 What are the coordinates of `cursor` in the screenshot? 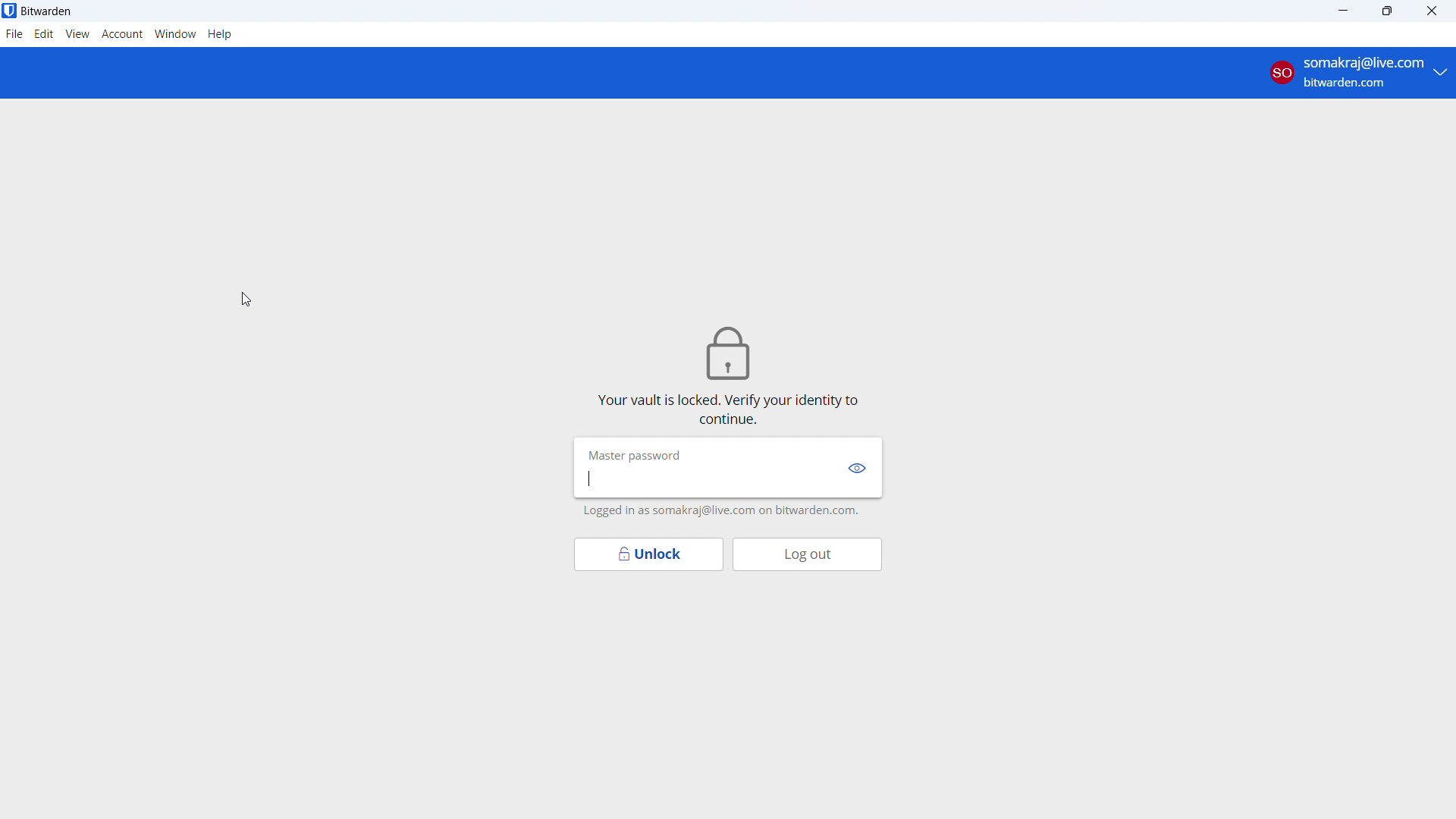 It's located at (234, 299).